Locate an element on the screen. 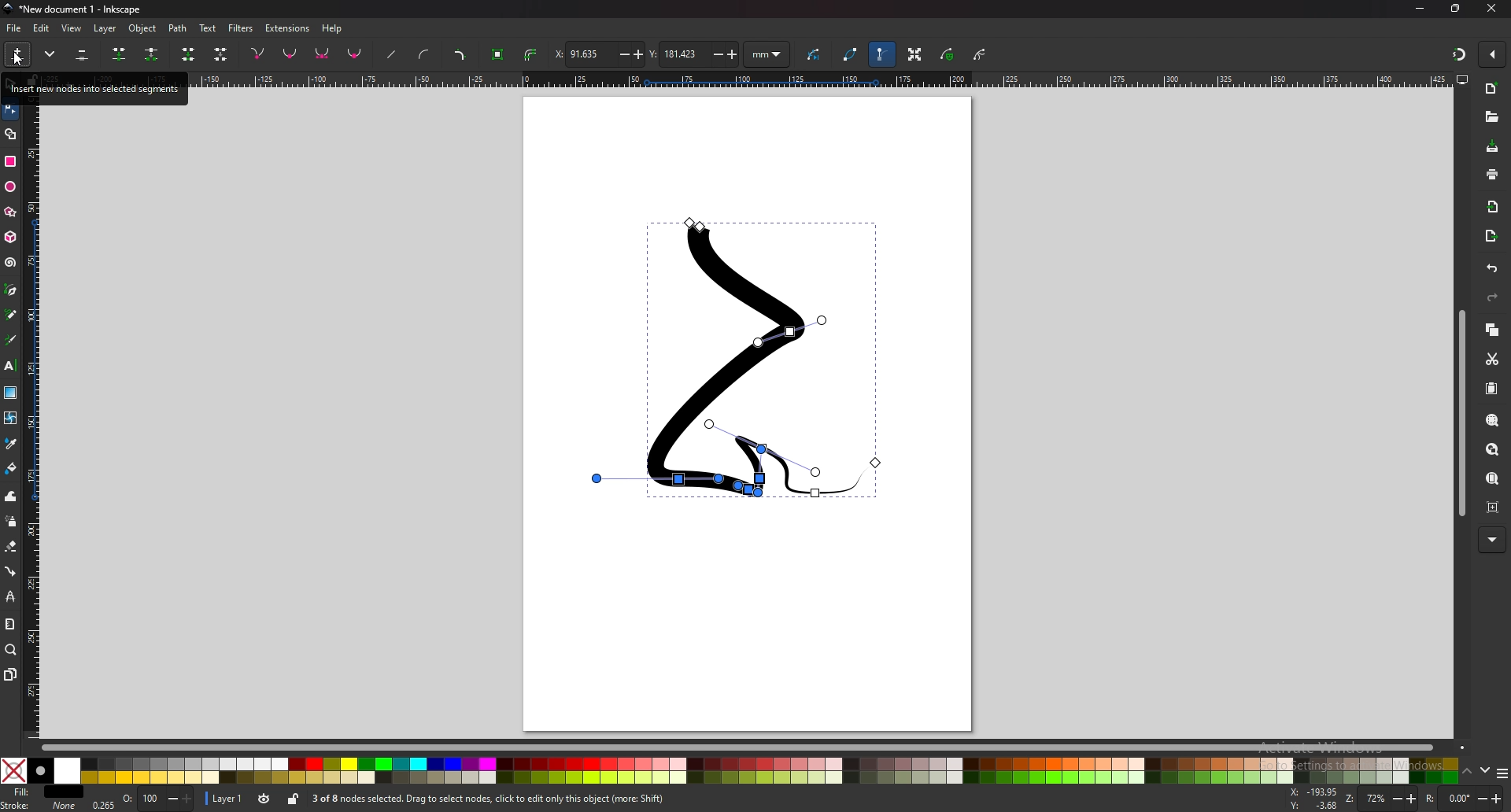  redo is located at coordinates (1492, 297).